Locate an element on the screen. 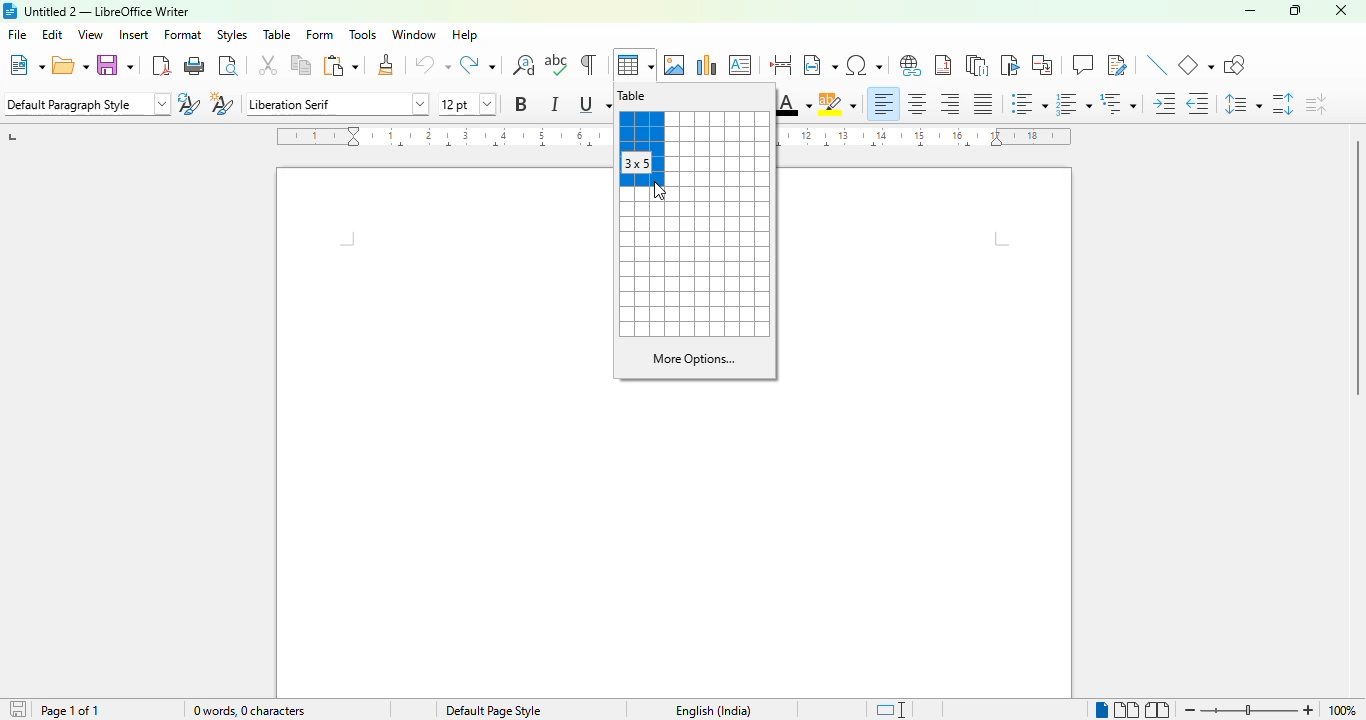 This screenshot has height=720, width=1366. decrease paragraph spacing is located at coordinates (1316, 104).